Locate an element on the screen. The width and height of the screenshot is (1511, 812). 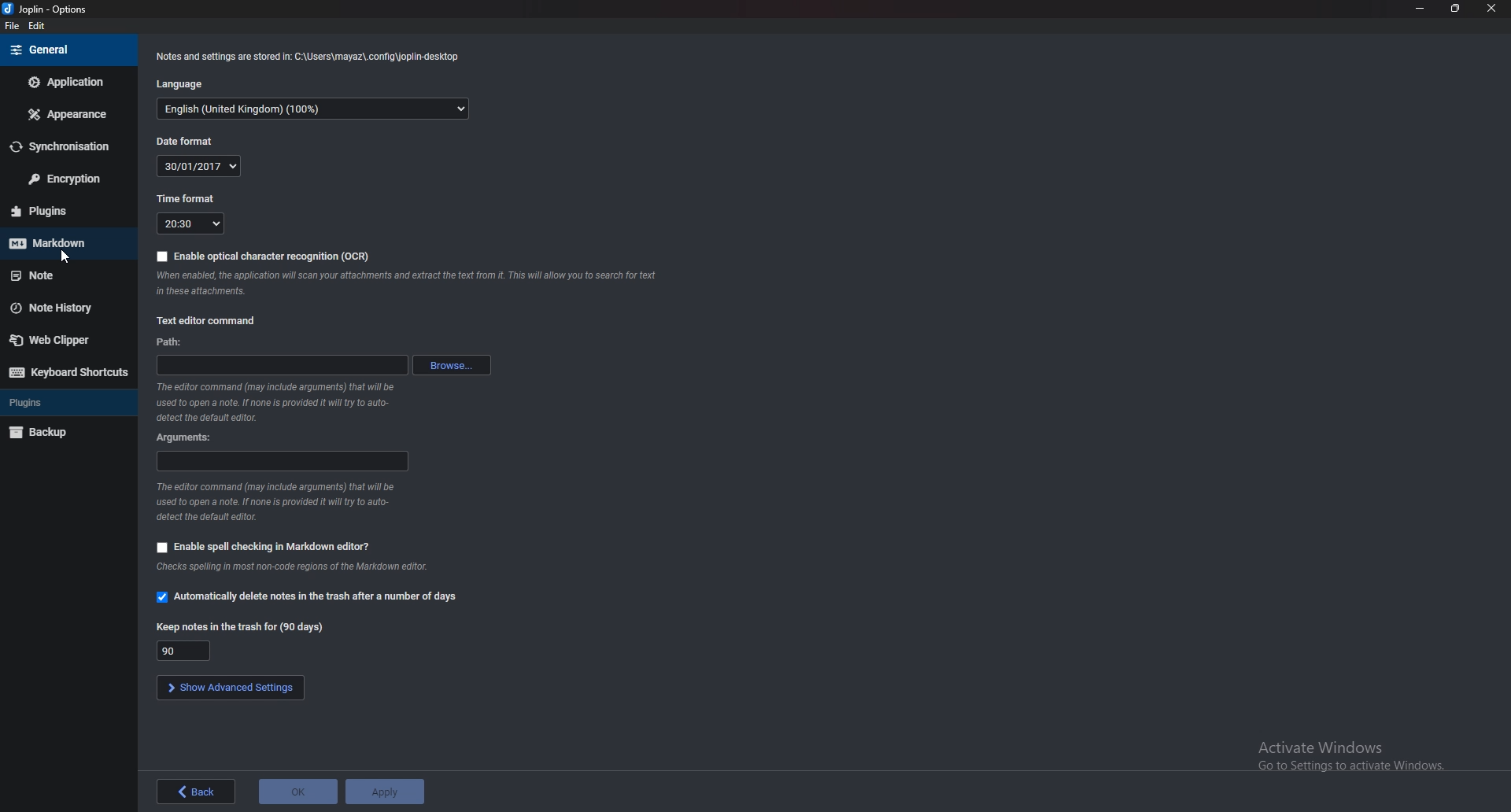
Arguments is located at coordinates (187, 437).